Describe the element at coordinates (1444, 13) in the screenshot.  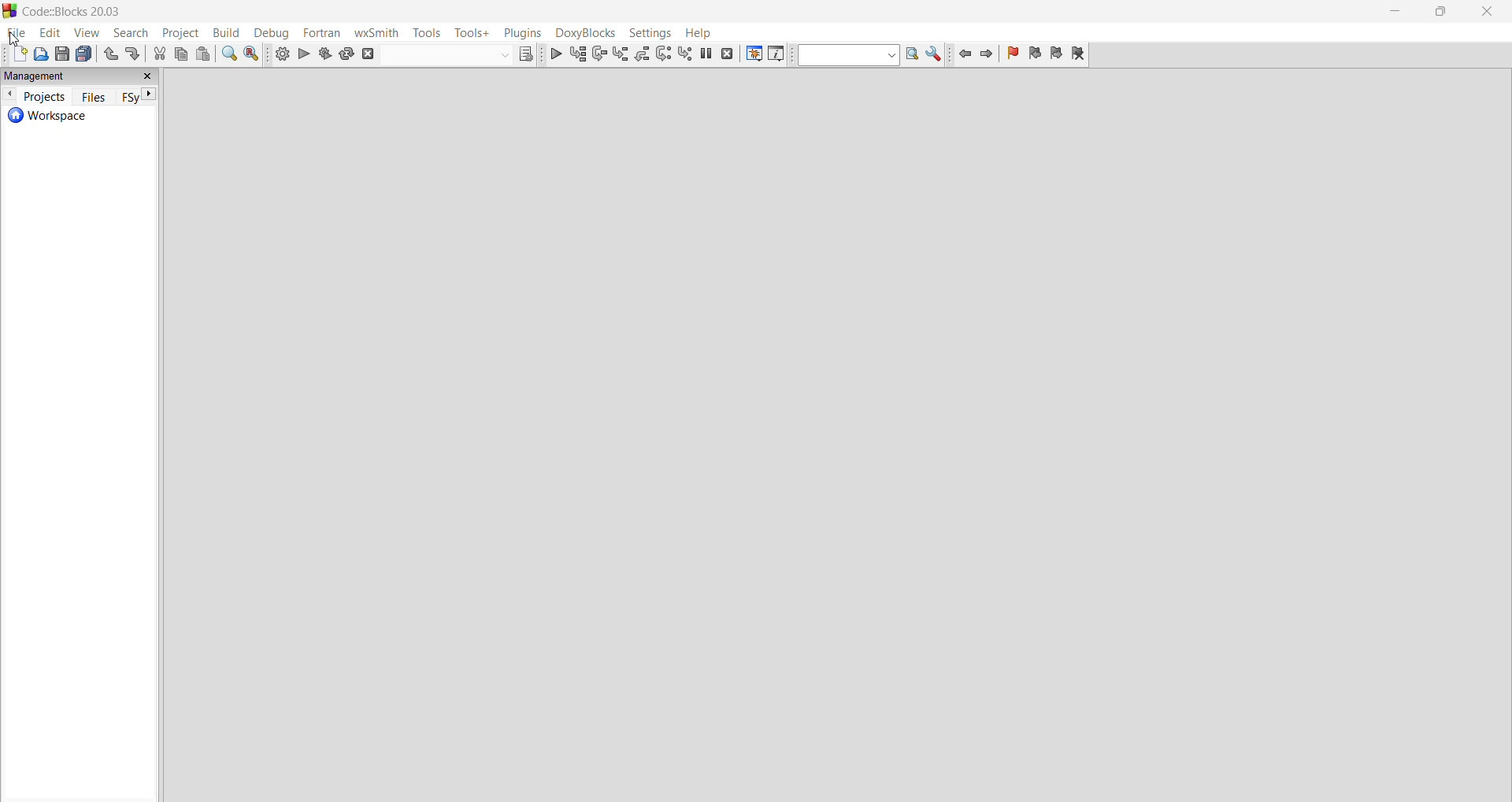
I see `maximize` at that location.